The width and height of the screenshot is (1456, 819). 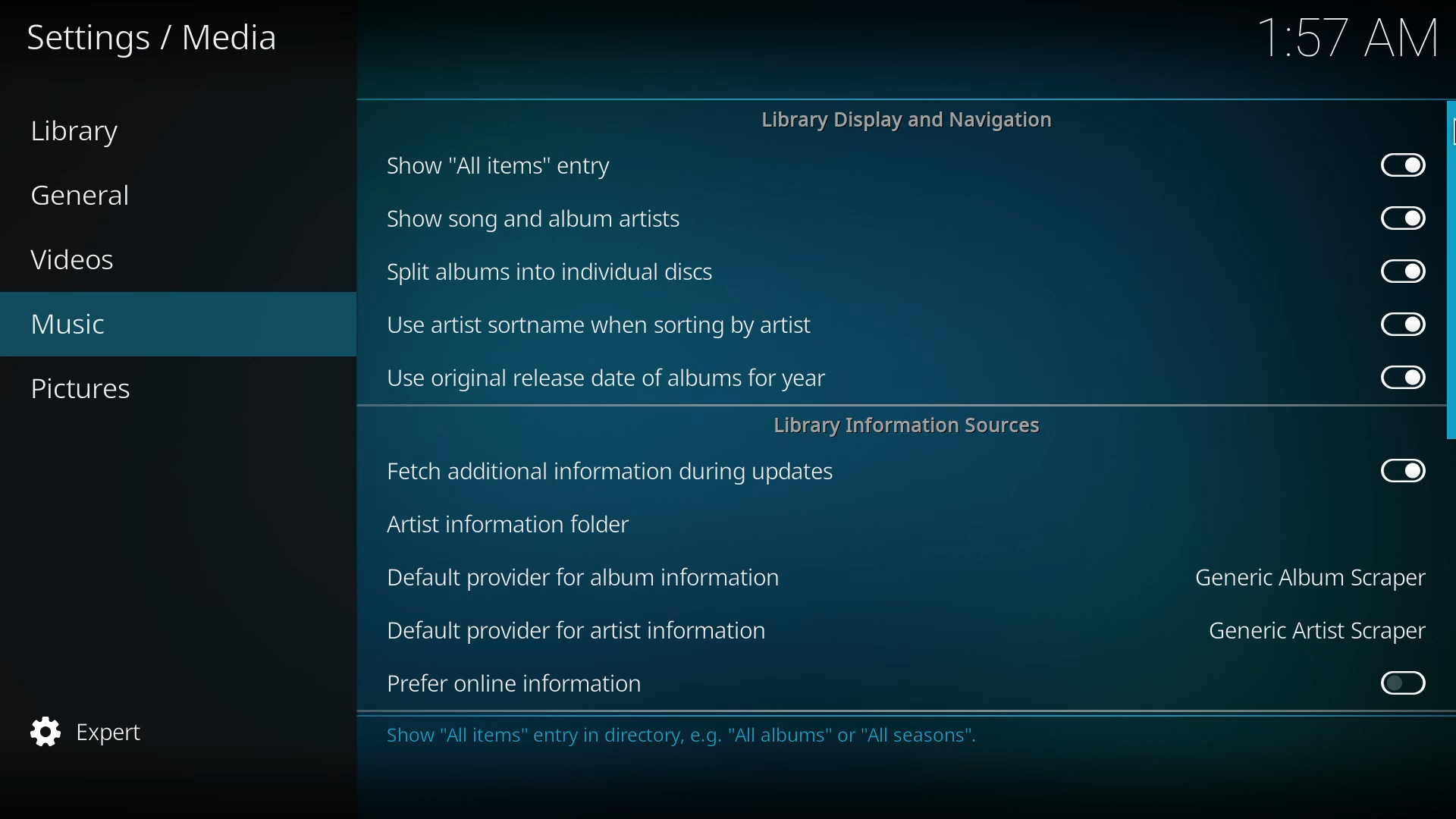 What do you see at coordinates (1307, 576) in the screenshot?
I see `generic` at bounding box center [1307, 576].